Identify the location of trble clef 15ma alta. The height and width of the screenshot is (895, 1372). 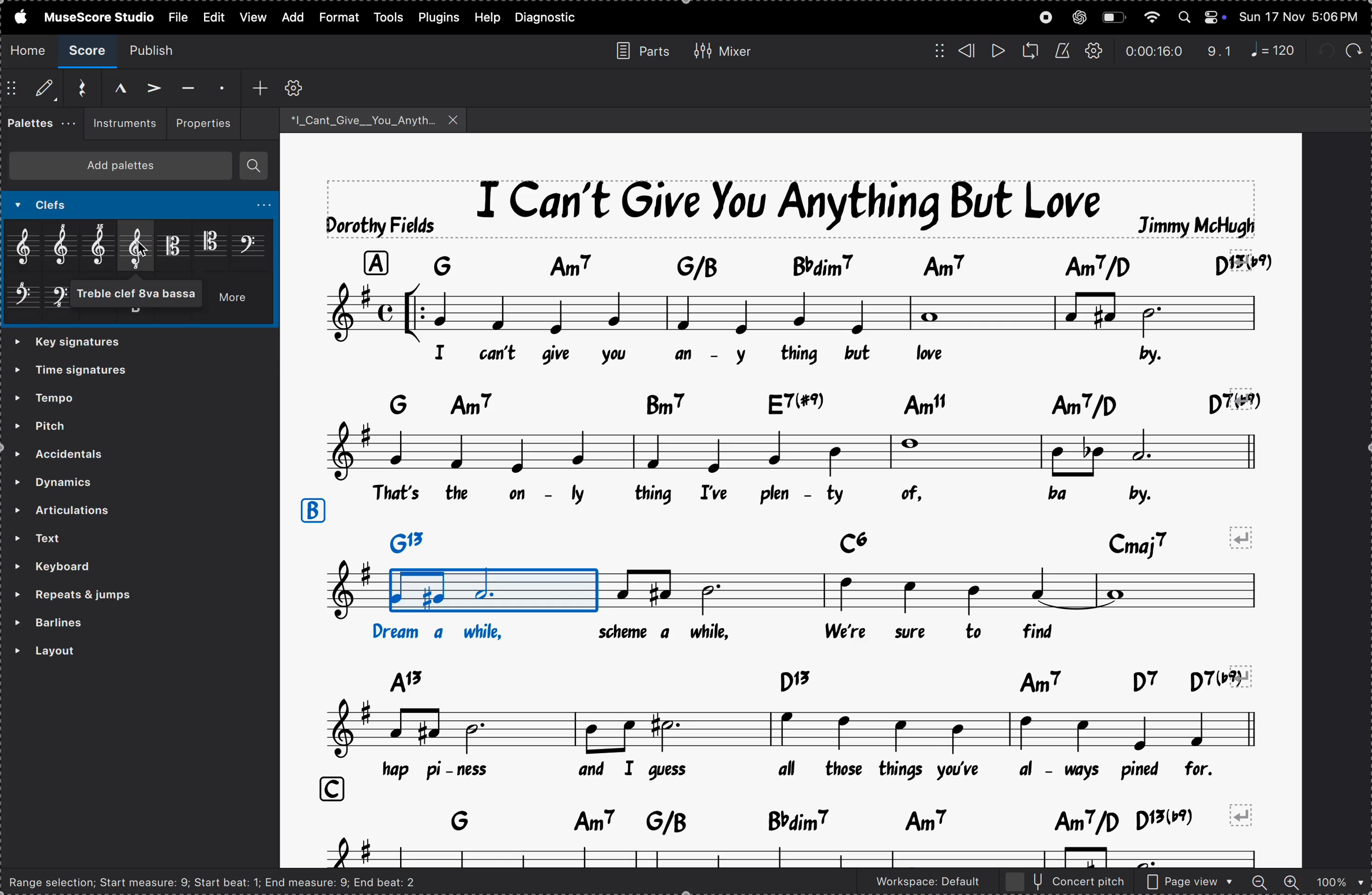
(103, 247).